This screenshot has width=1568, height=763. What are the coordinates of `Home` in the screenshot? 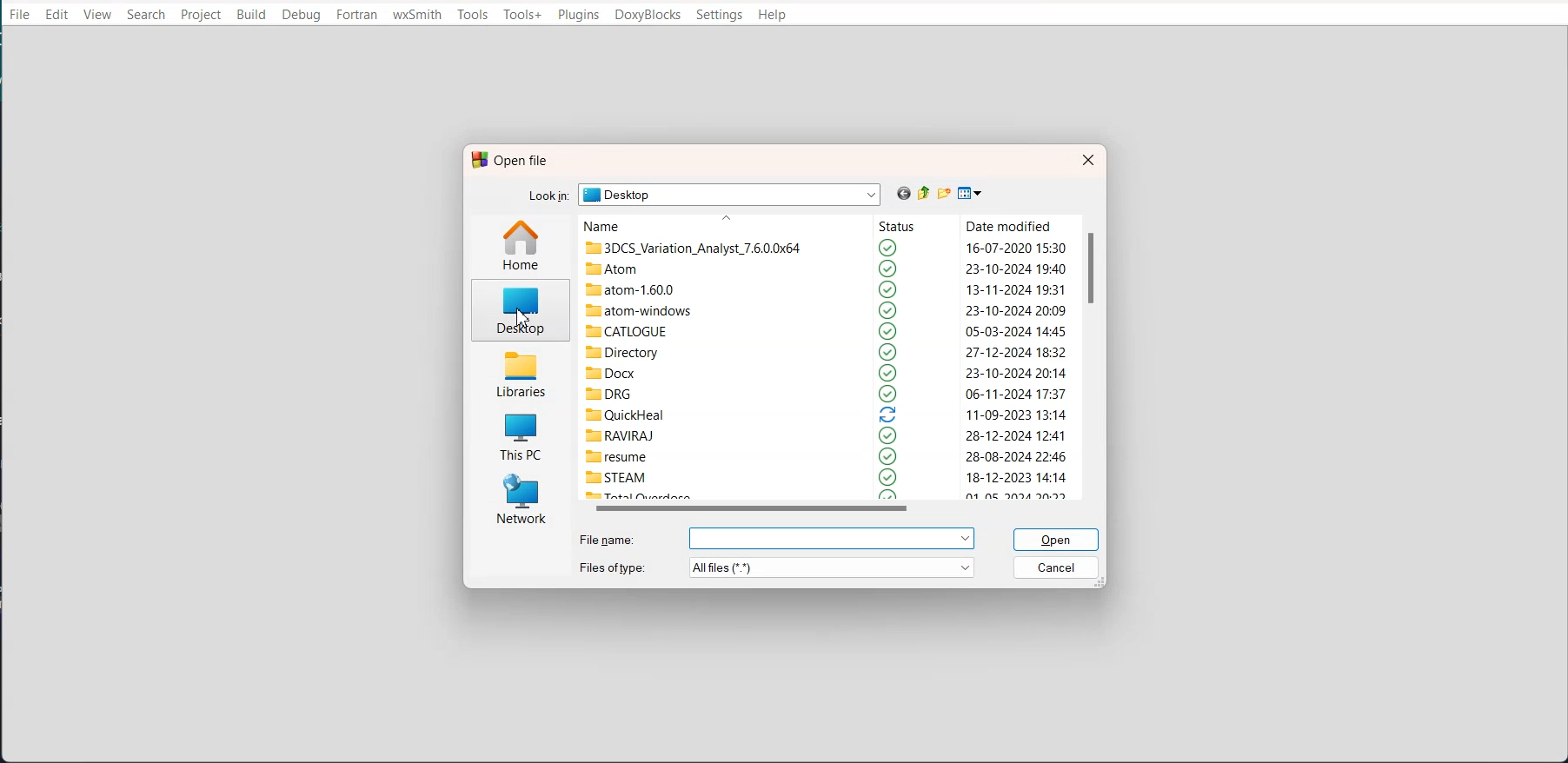 It's located at (523, 244).